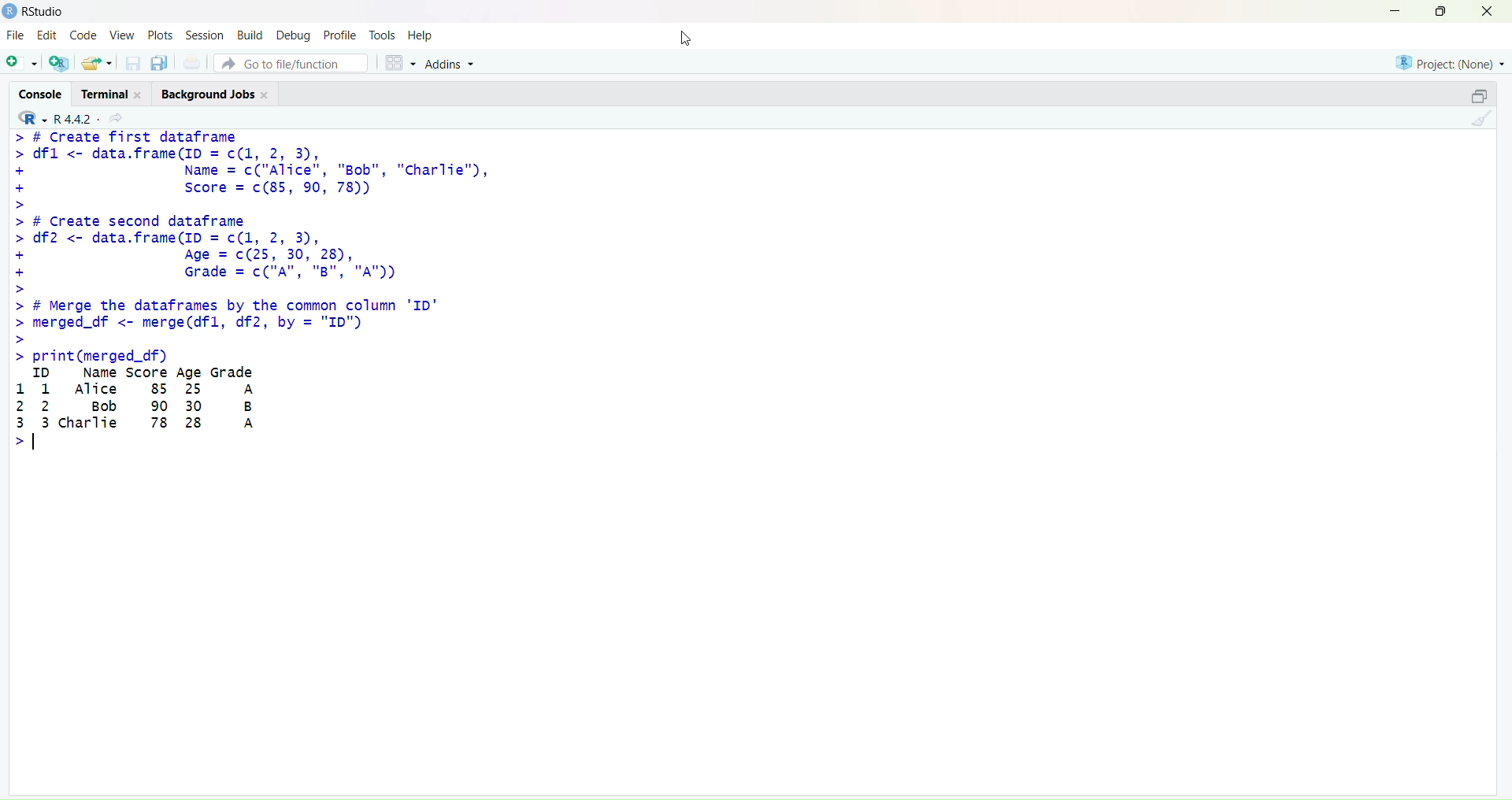  I want to click on Background Jobs, so click(217, 93).